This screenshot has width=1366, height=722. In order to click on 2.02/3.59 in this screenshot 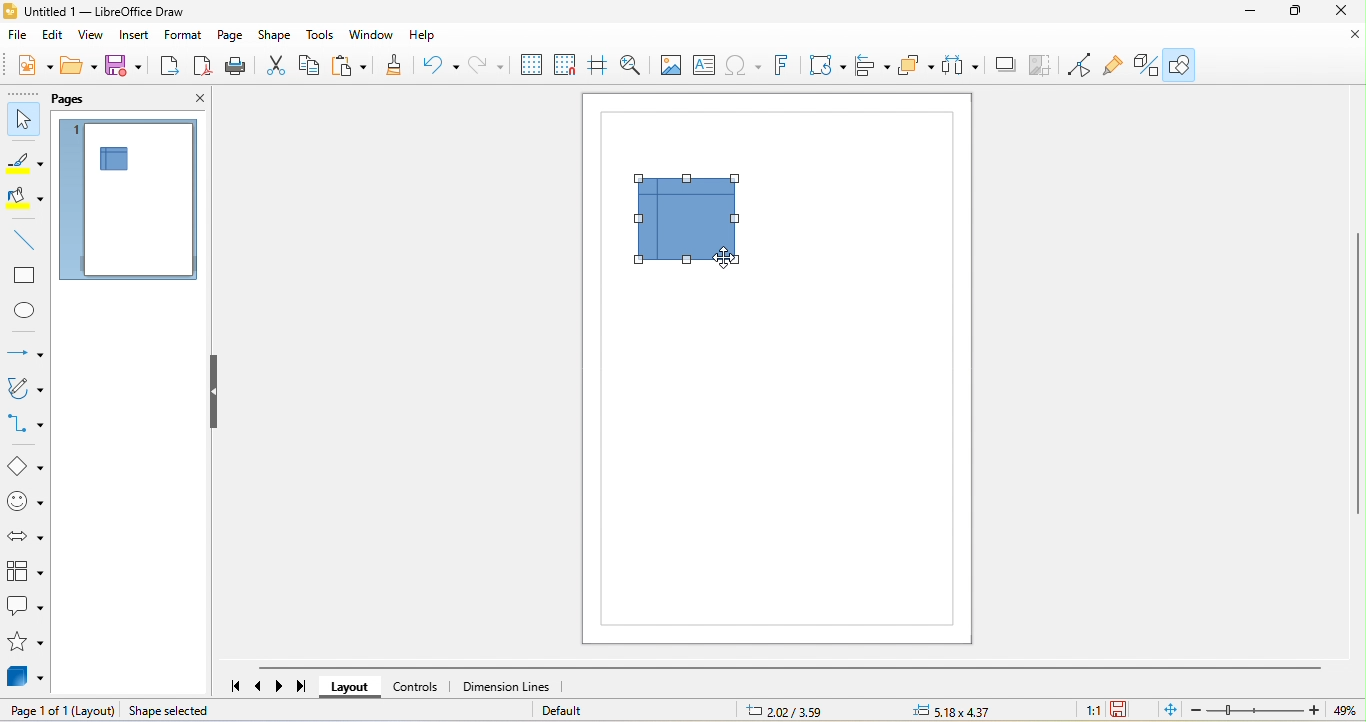, I will do `click(786, 710)`.